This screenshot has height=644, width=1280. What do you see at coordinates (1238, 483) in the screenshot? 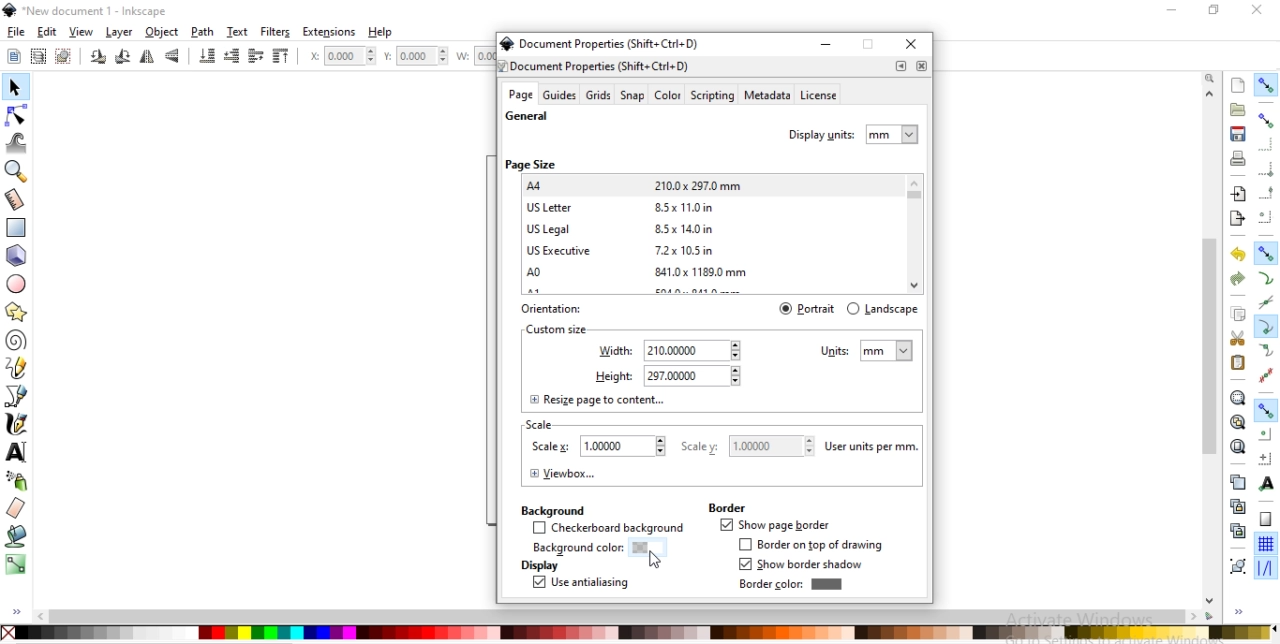
I see `create a duplicate` at bounding box center [1238, 483].